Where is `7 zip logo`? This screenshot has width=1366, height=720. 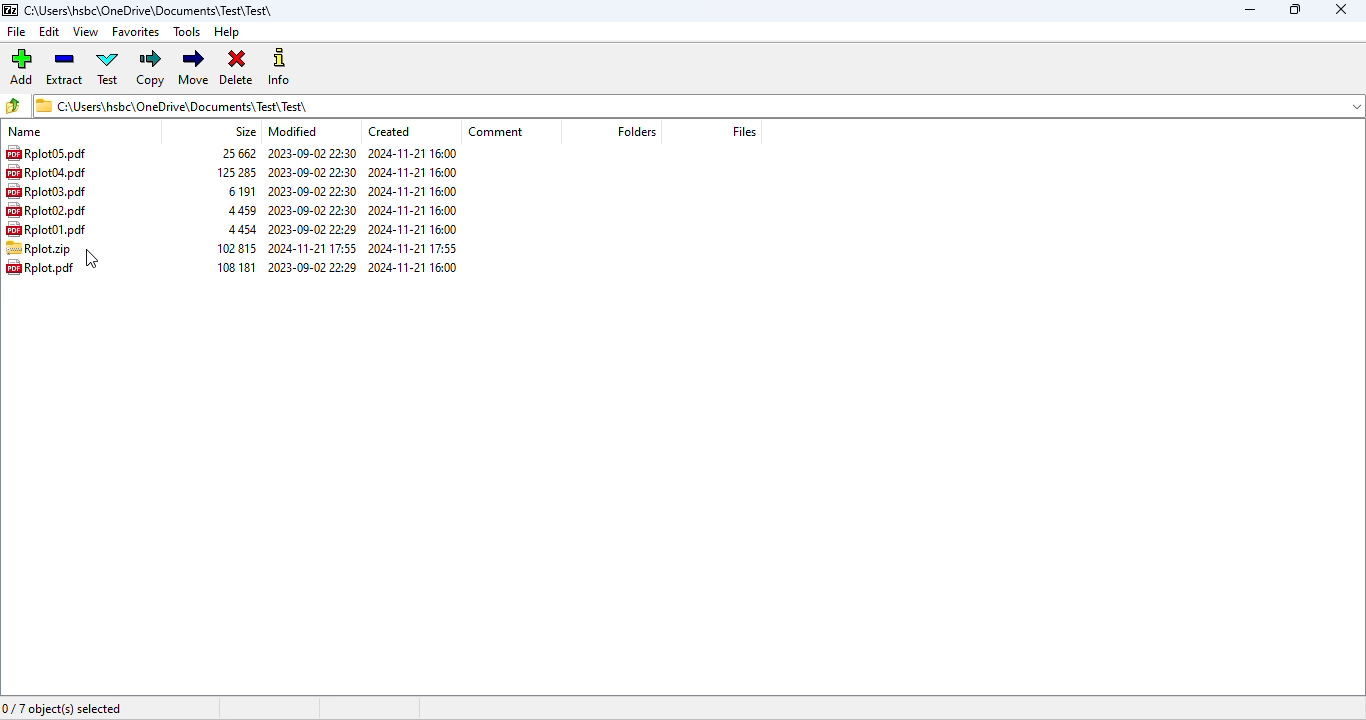 7 zip logo is located at coordinates (10, 11).